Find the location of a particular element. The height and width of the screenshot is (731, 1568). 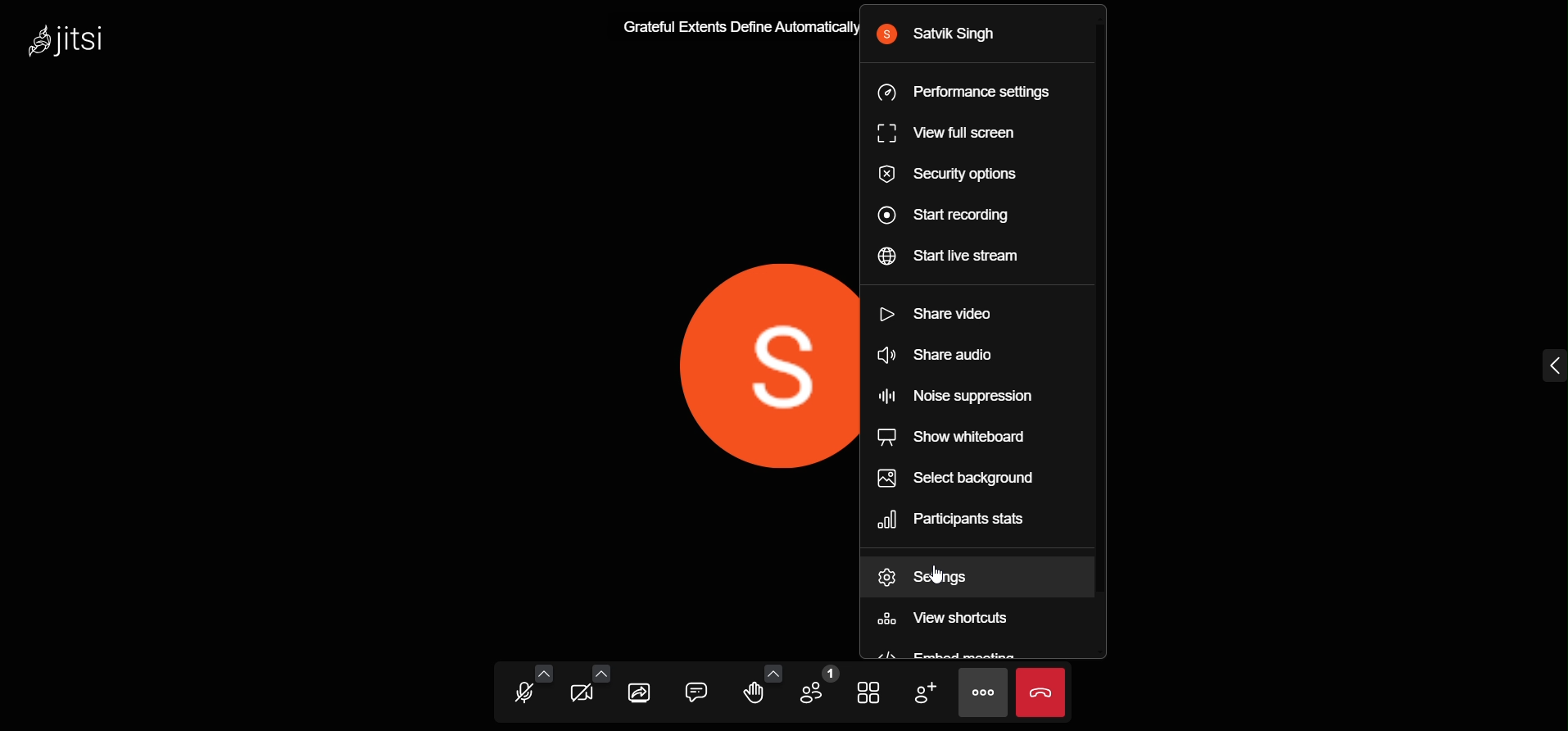

leave the meeting is located at coordinates (1040, 691).